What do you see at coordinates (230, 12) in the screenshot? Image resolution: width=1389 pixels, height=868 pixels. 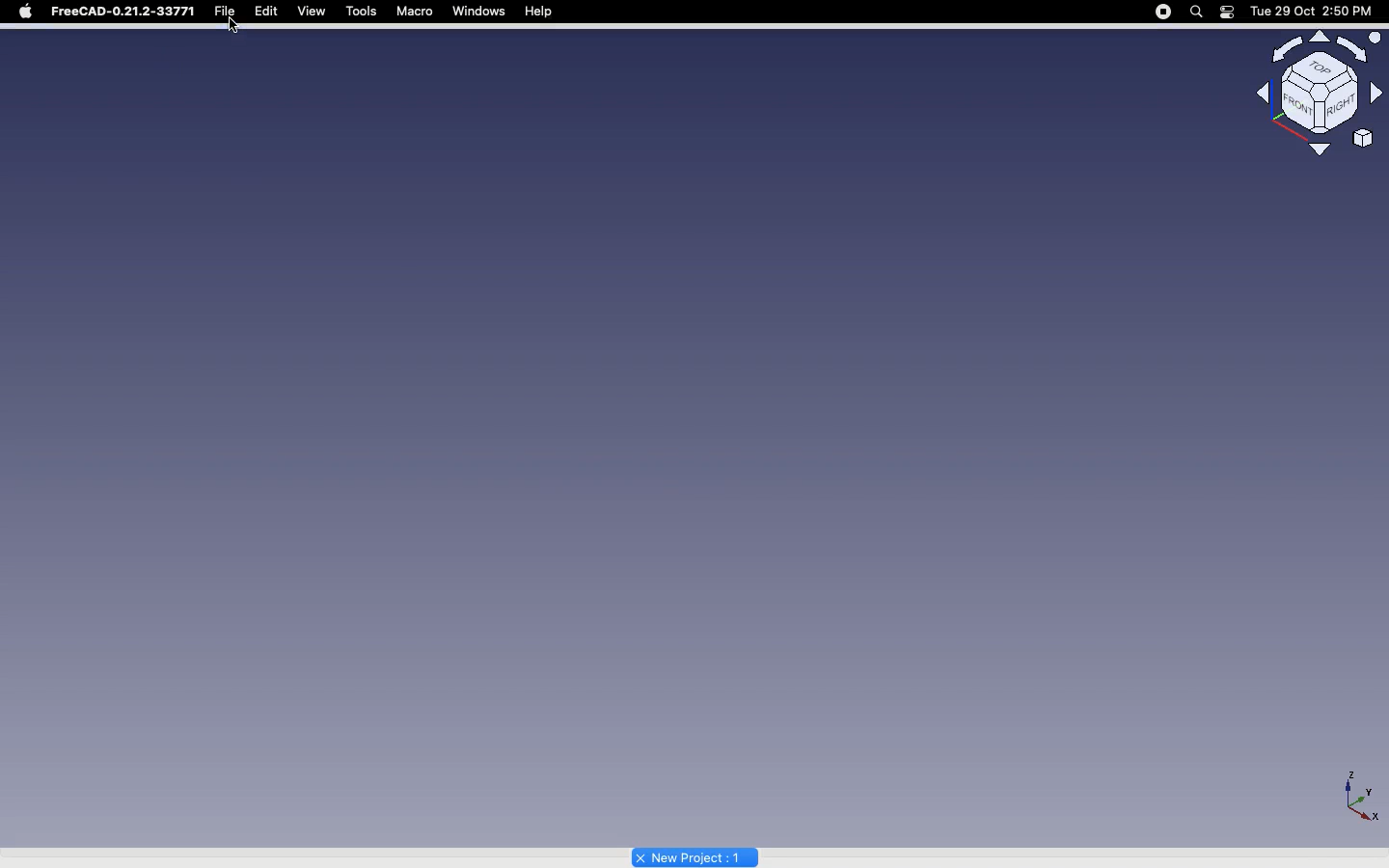 I see `File` at bounding box center [230, 12].